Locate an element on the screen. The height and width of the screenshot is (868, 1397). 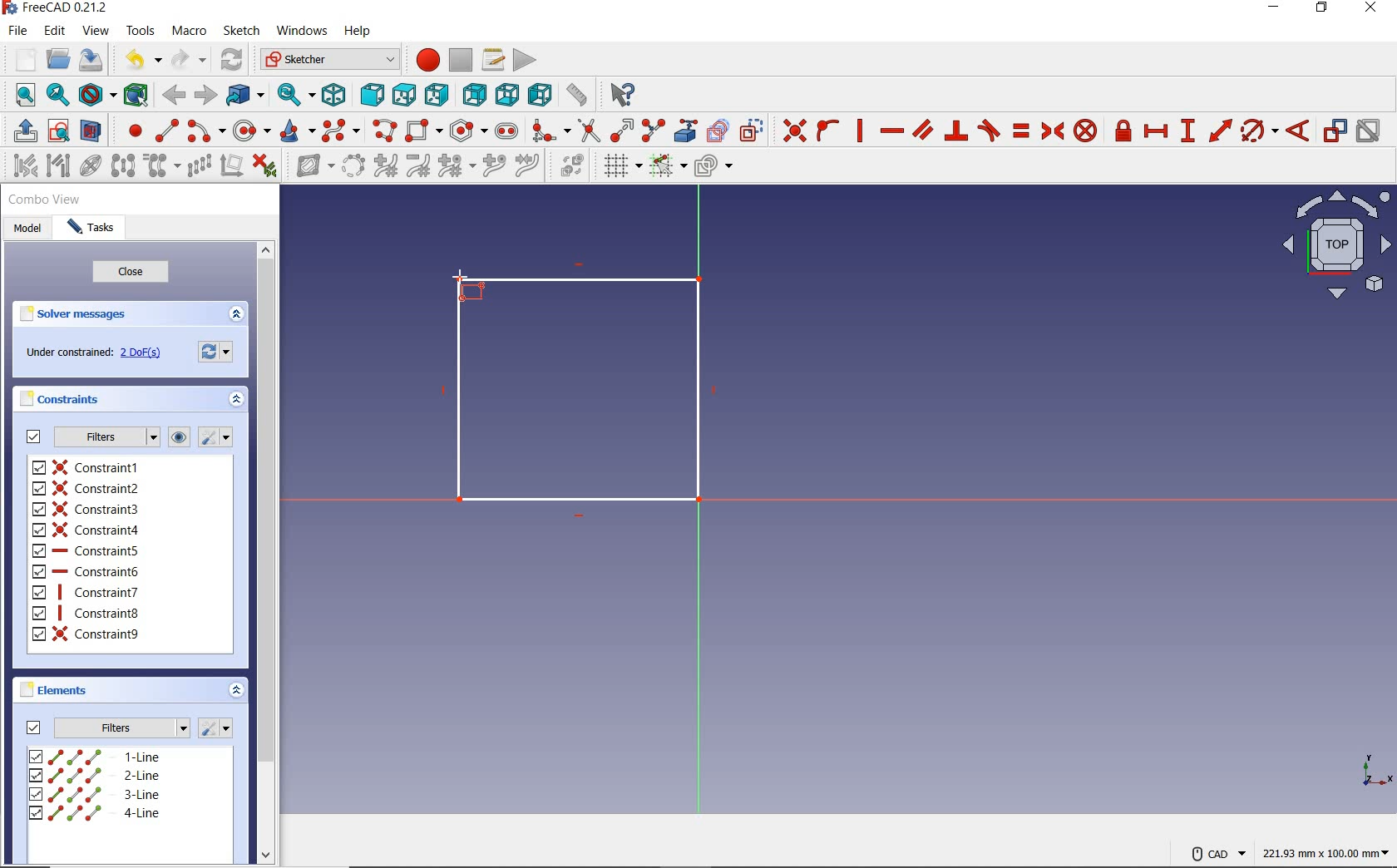
fit selection is located at coordinates (58, 96).